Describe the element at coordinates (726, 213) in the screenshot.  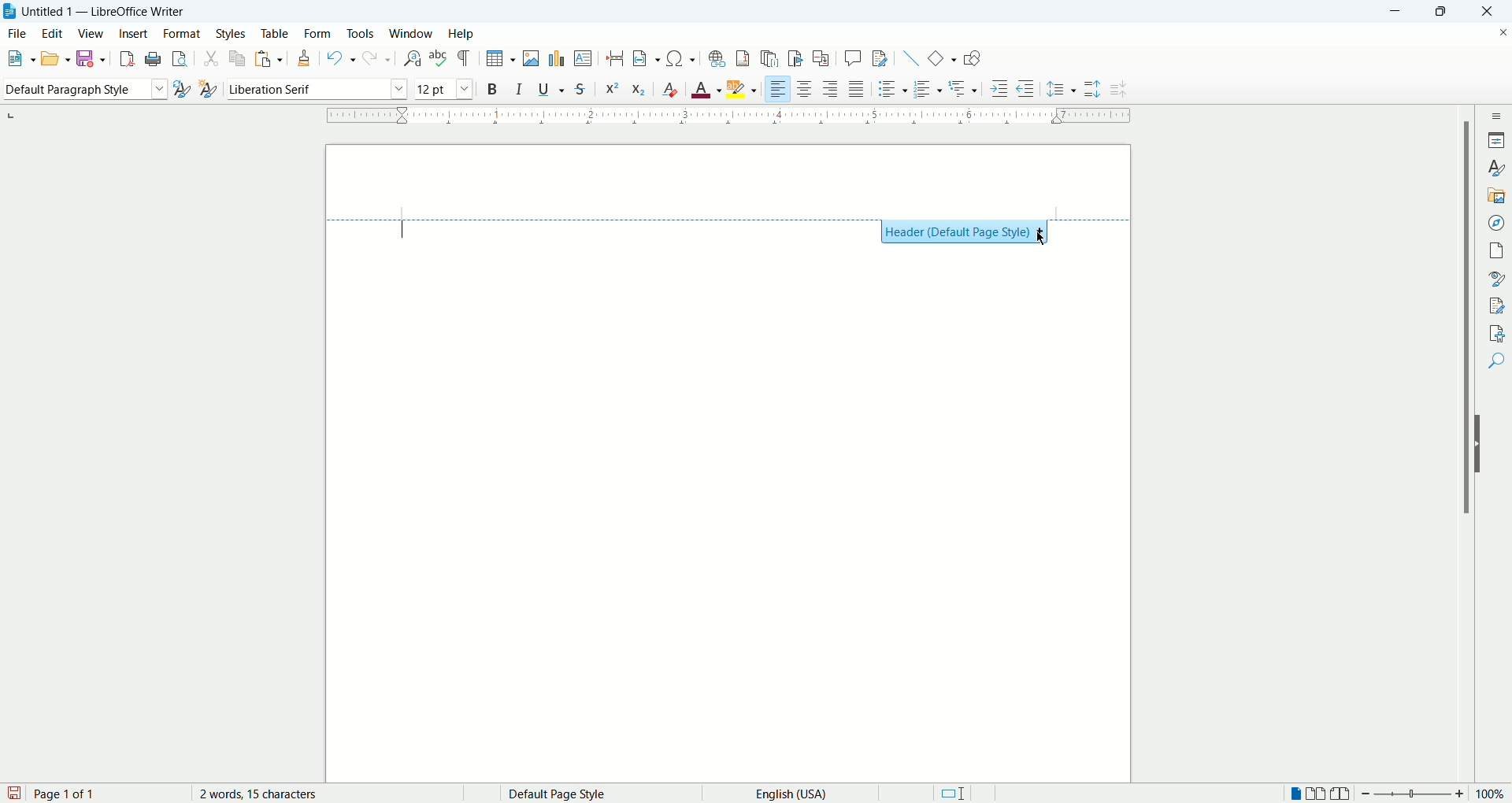
I see `Header style` at that location.